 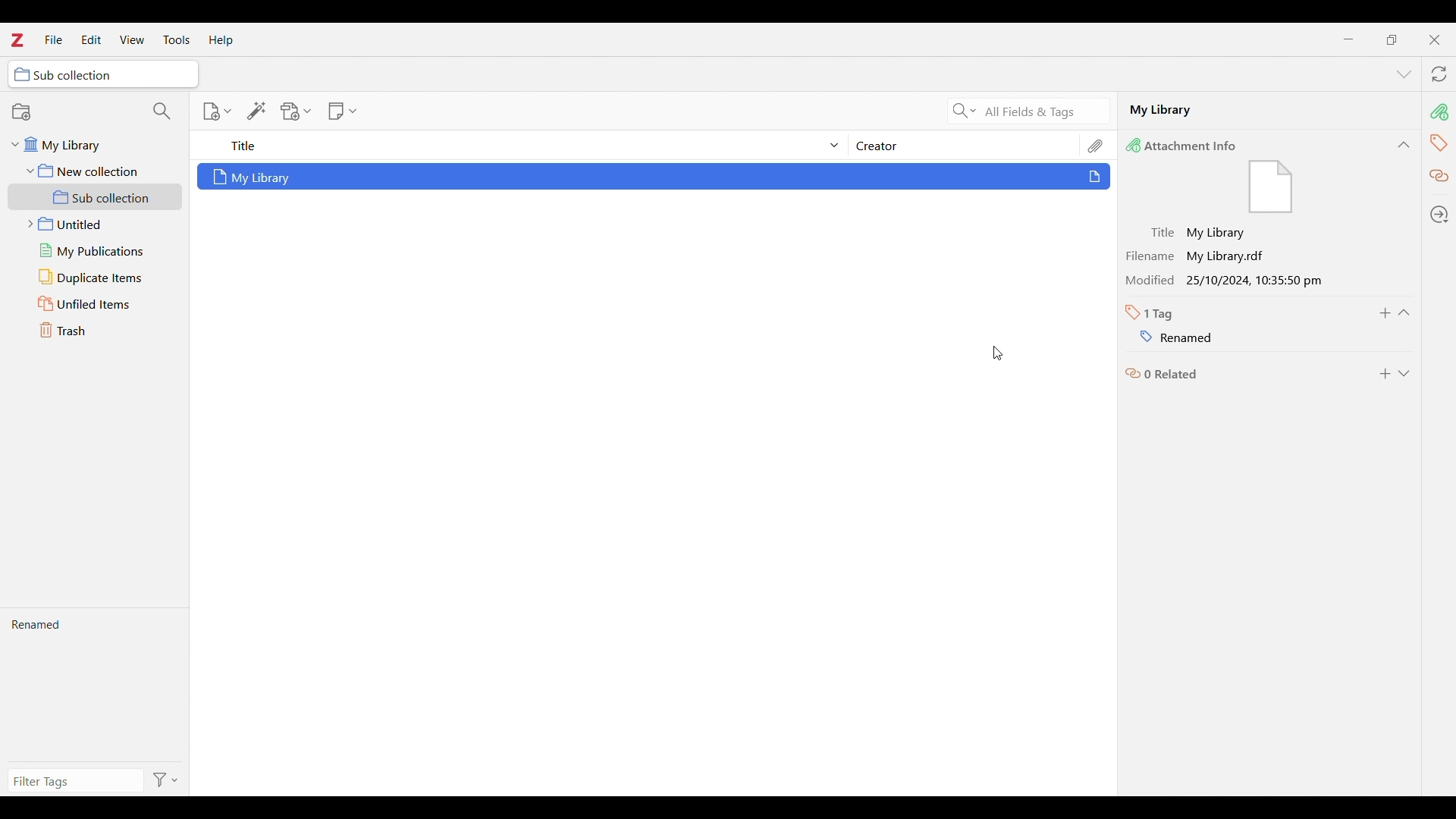 I want to click on Collapse, so click(x=1404, y=312).